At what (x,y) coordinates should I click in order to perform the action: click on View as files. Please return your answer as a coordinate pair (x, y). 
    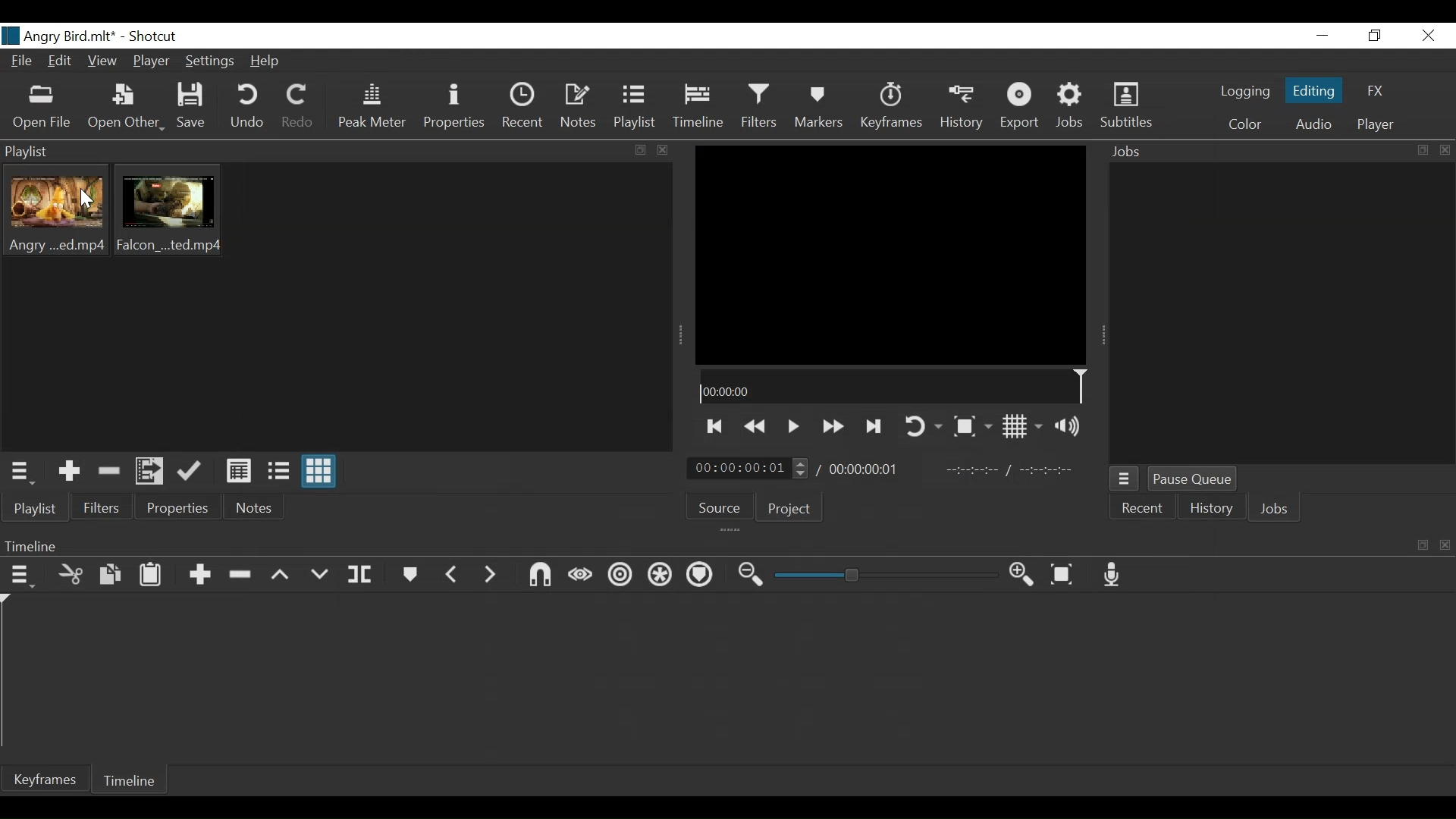
    Looking at the image, I should click on (280, 469).